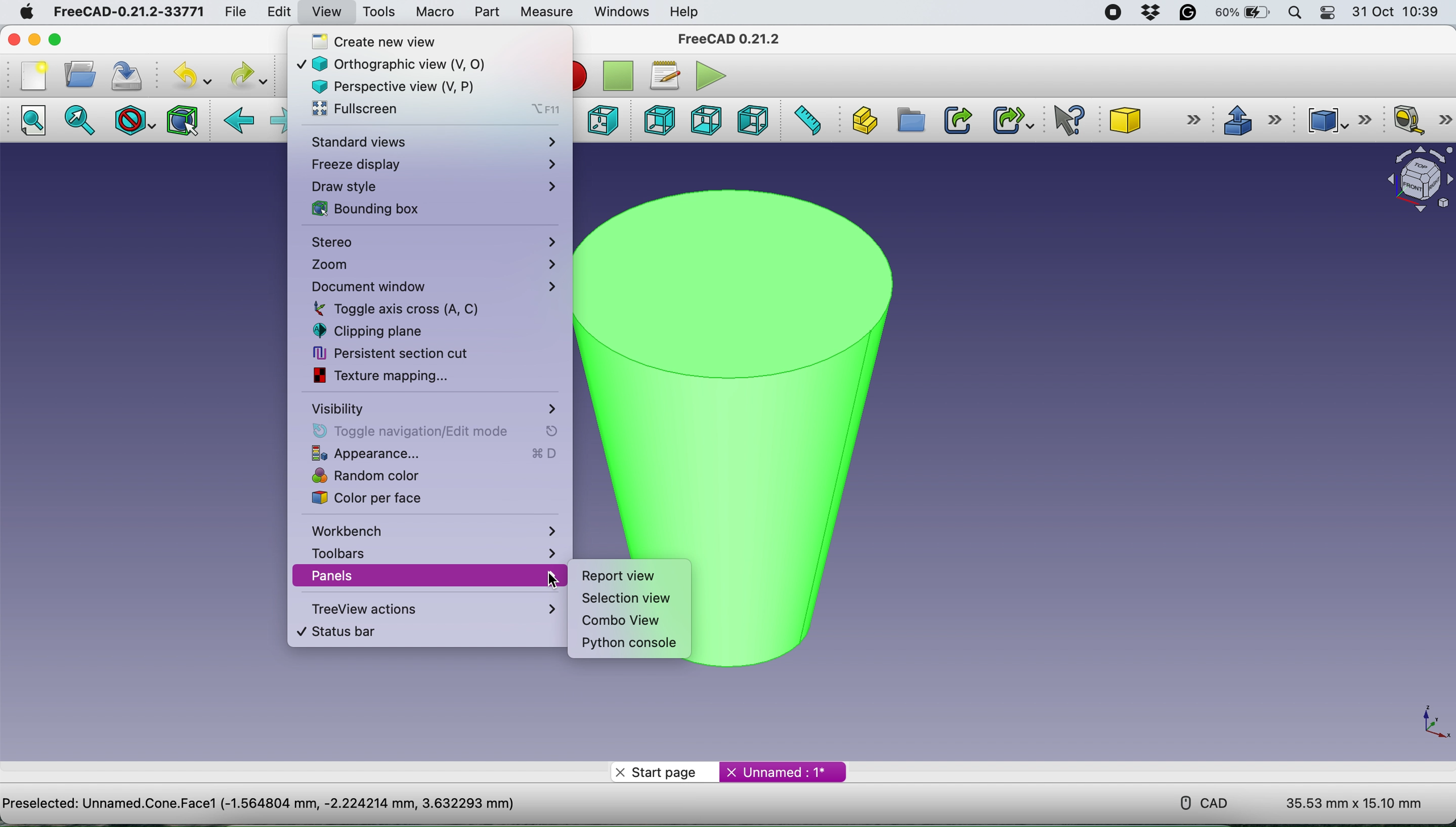 The height and width of the screenshot is (827, 1456). I want to click on panels , so click(424, 576).